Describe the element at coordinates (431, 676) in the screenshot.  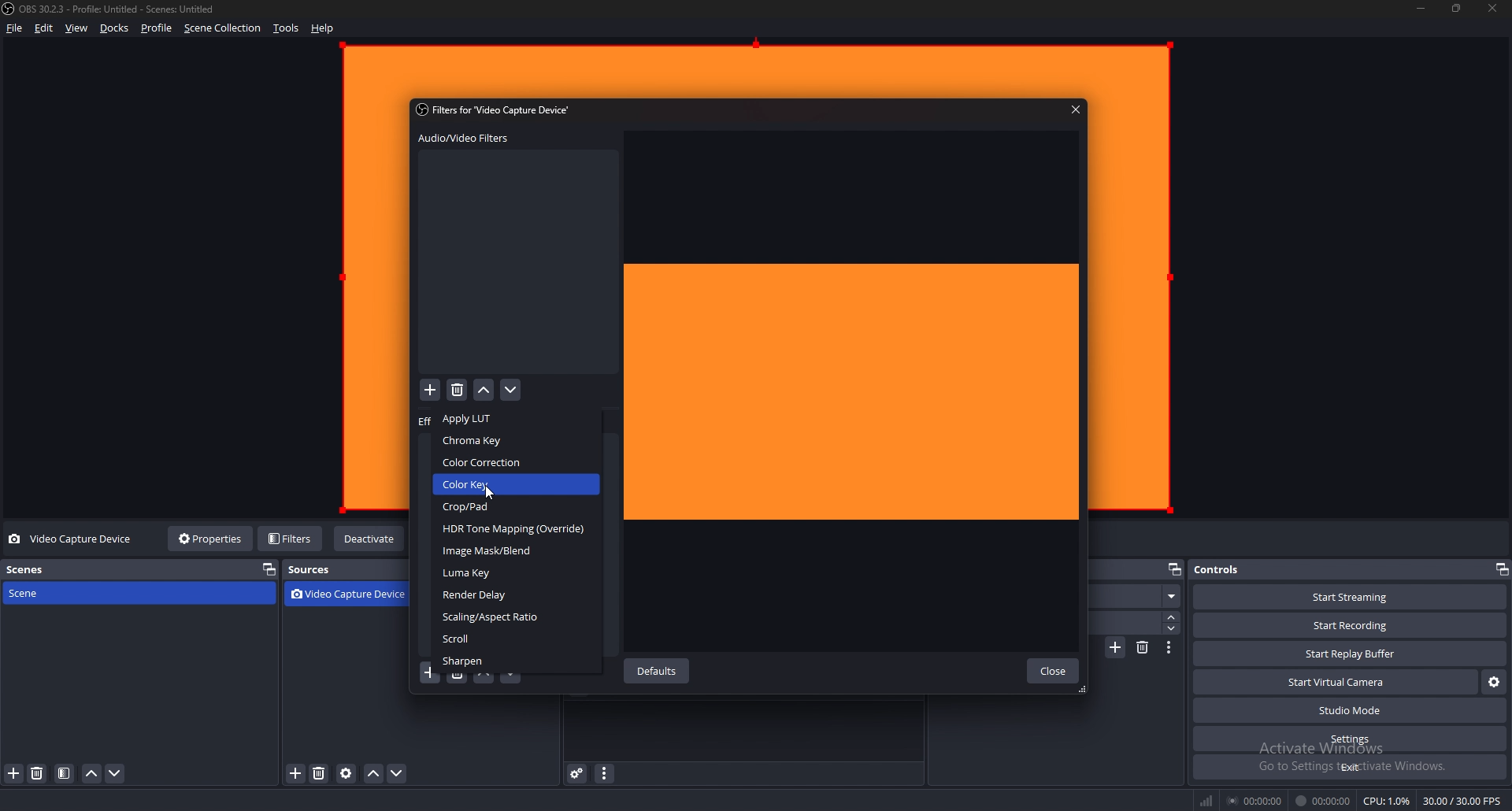
I see `add filter` at that location.